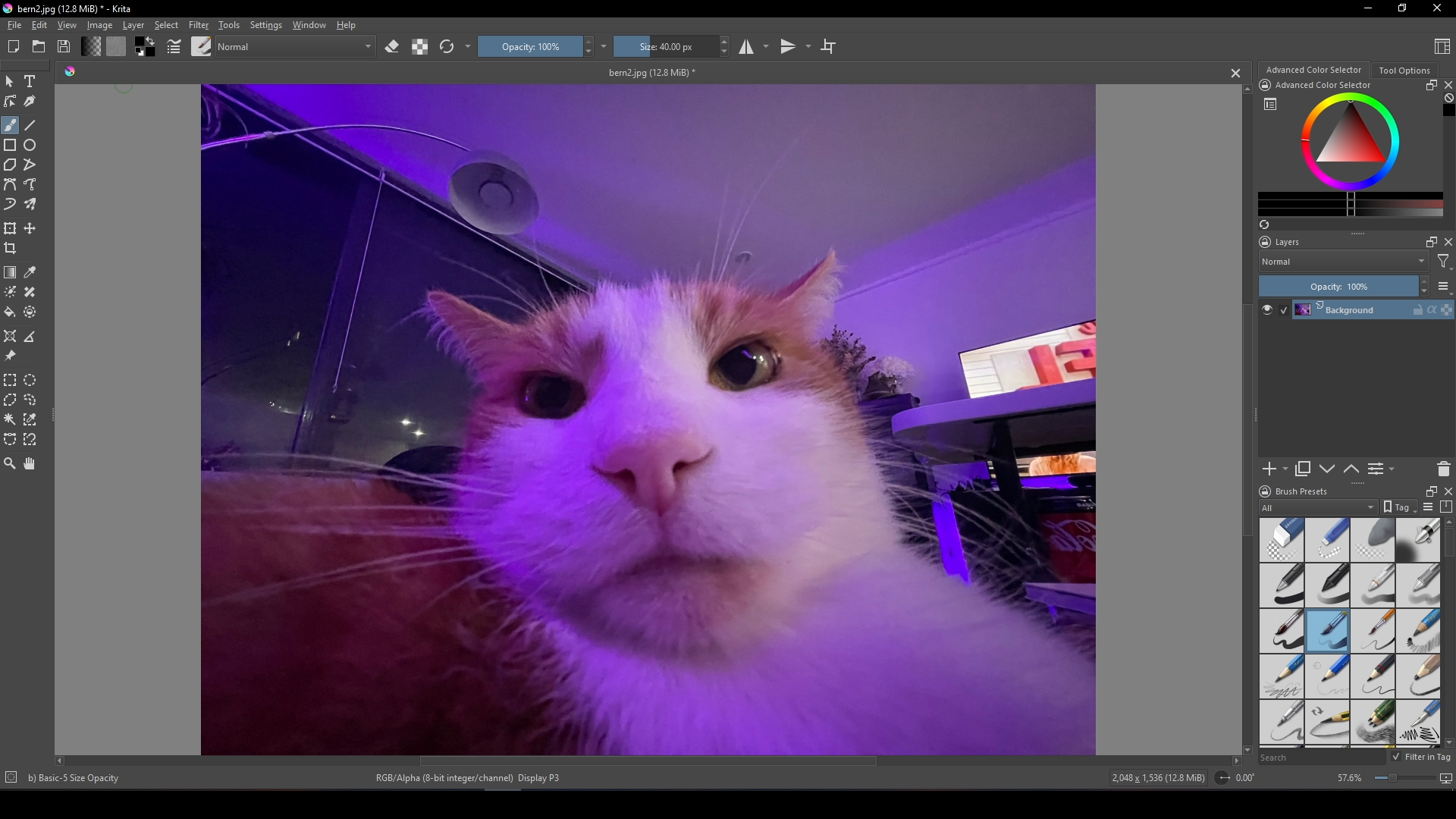  I want to click on Layers, so click(1288, 242).